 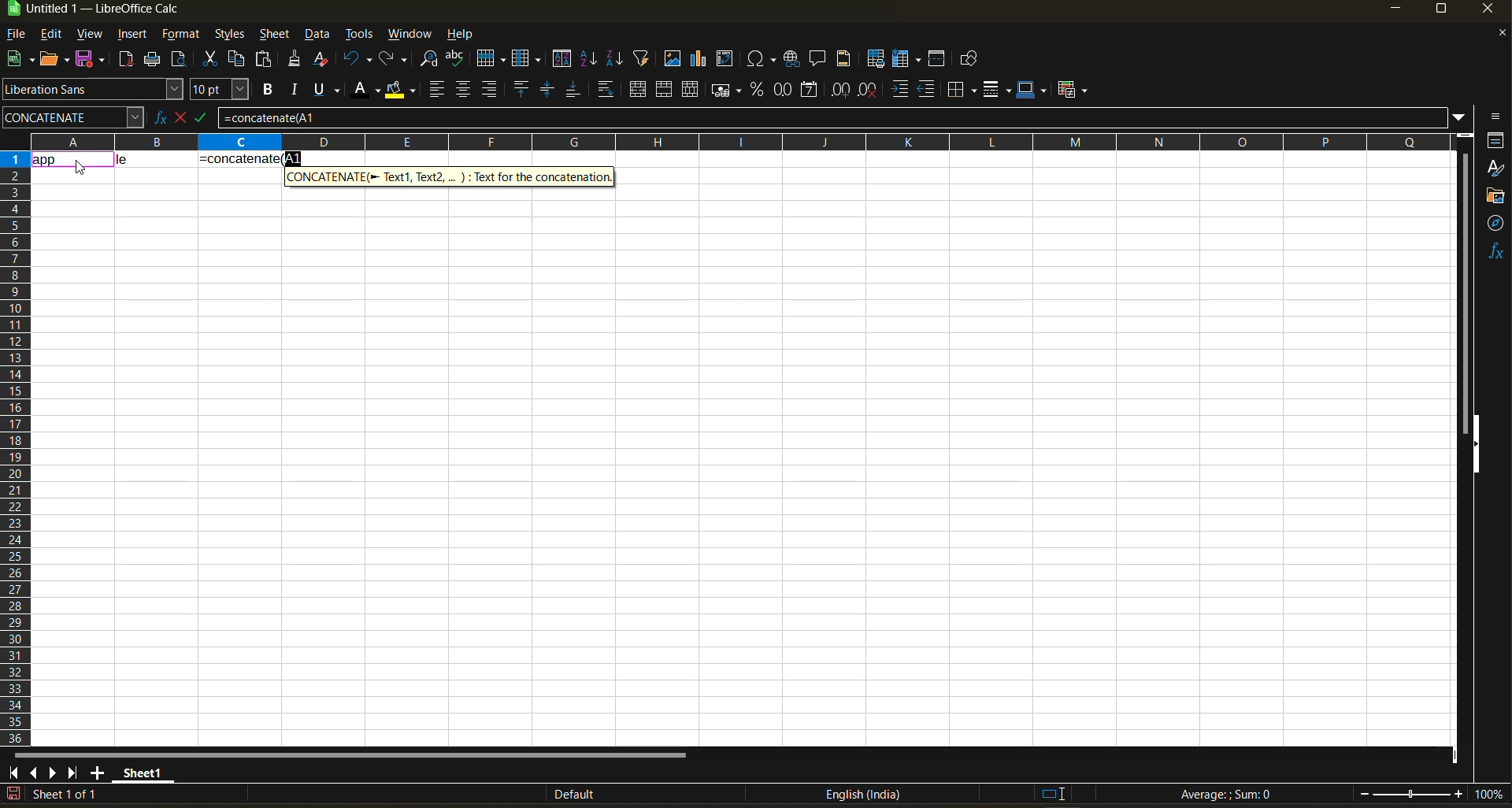 I want to click on font color, so click(x=369, y=88).